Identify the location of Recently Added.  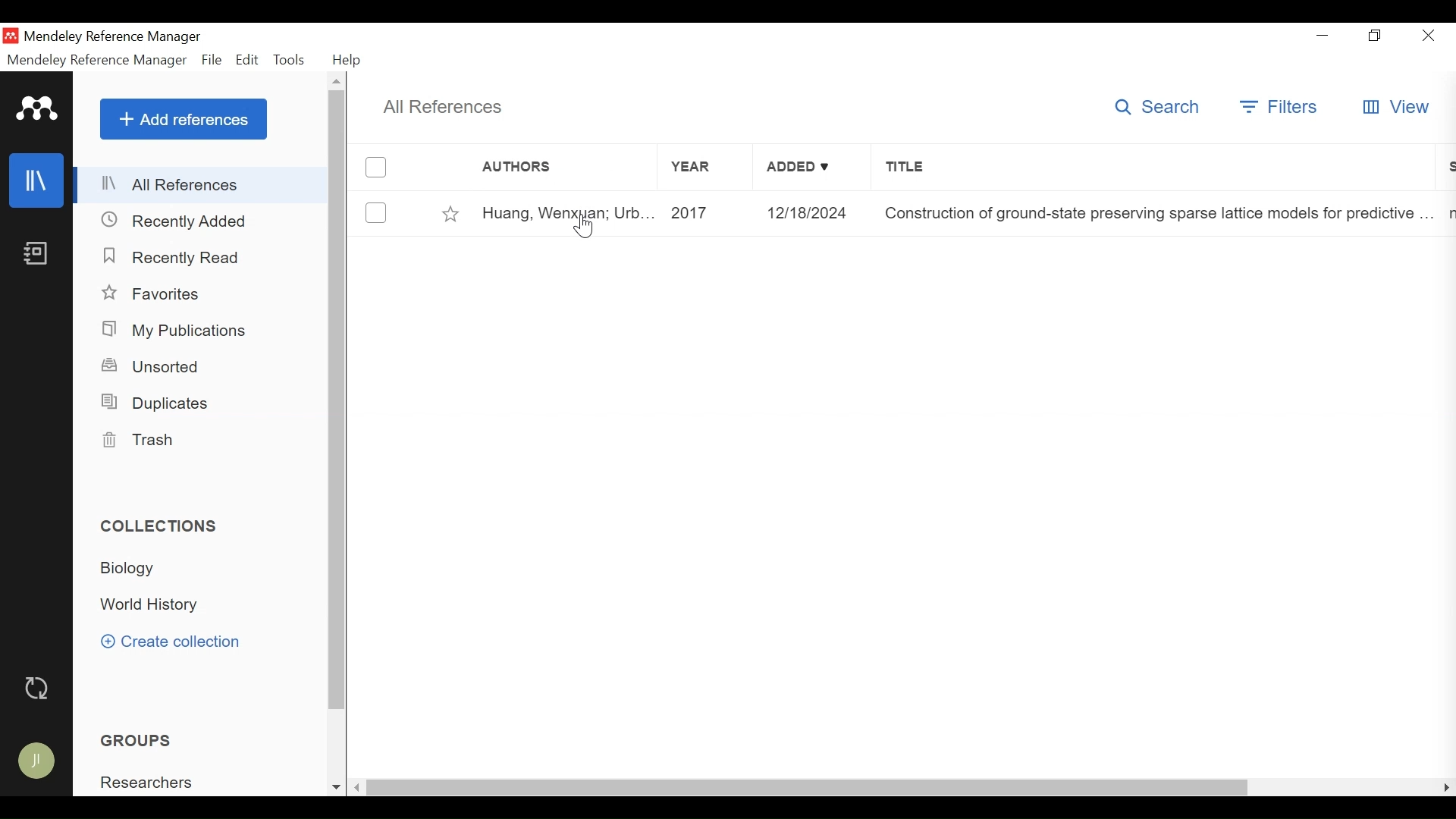
(178, 221).